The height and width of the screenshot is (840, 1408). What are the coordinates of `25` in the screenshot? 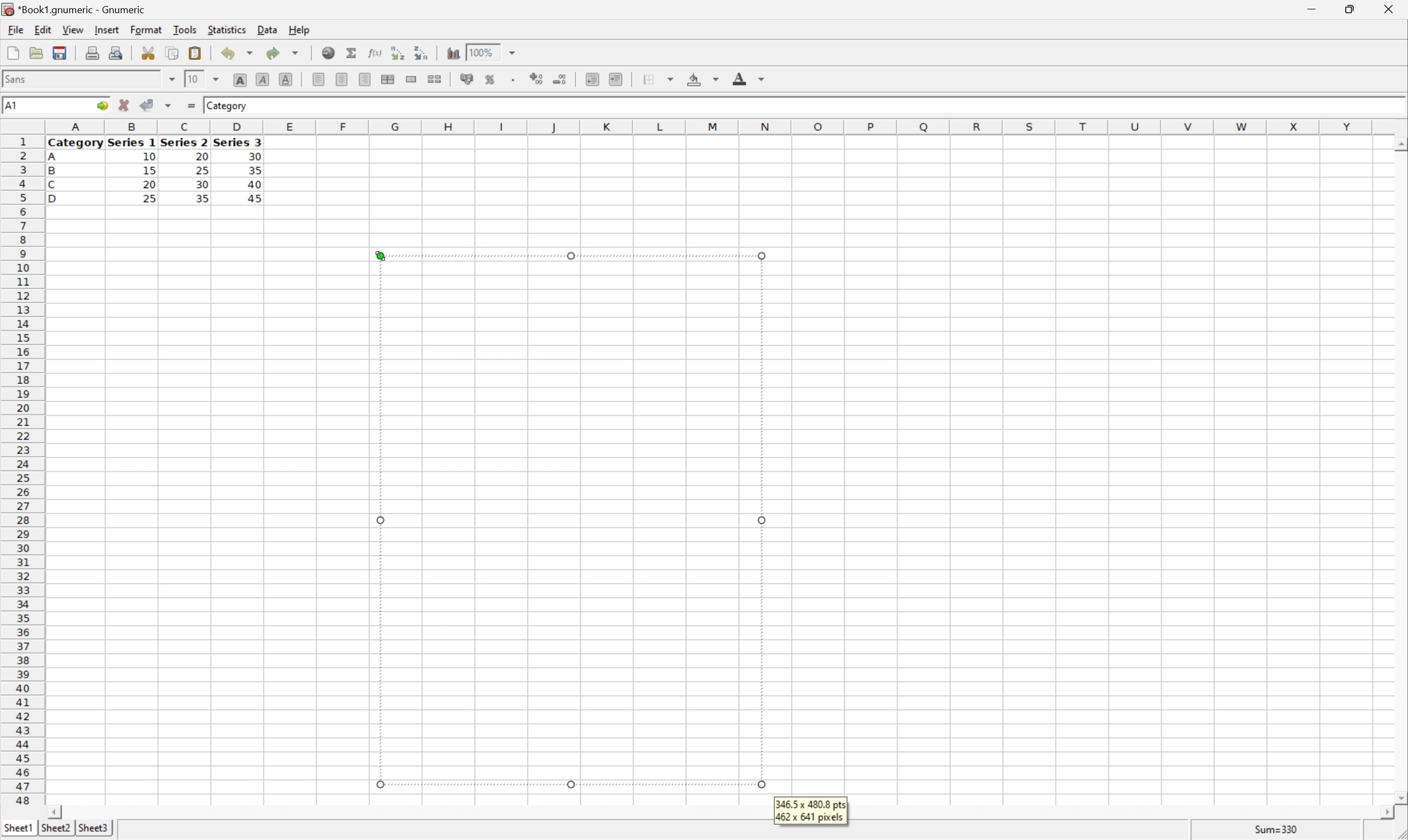 It's located at (203, 170).